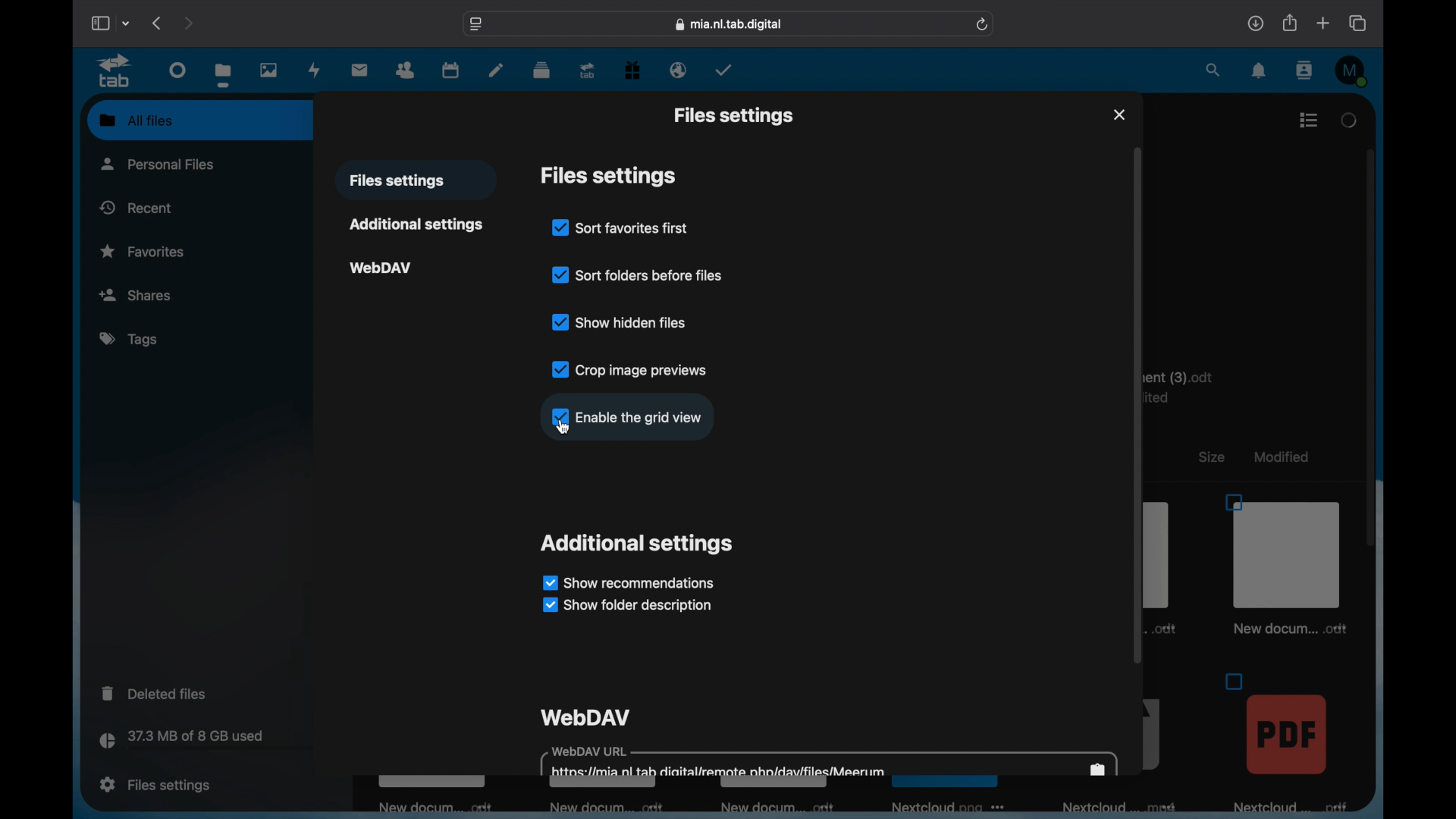 The height and width of the screenshot is (819, 1456). I want to click on dashboard, so click(177, 71).